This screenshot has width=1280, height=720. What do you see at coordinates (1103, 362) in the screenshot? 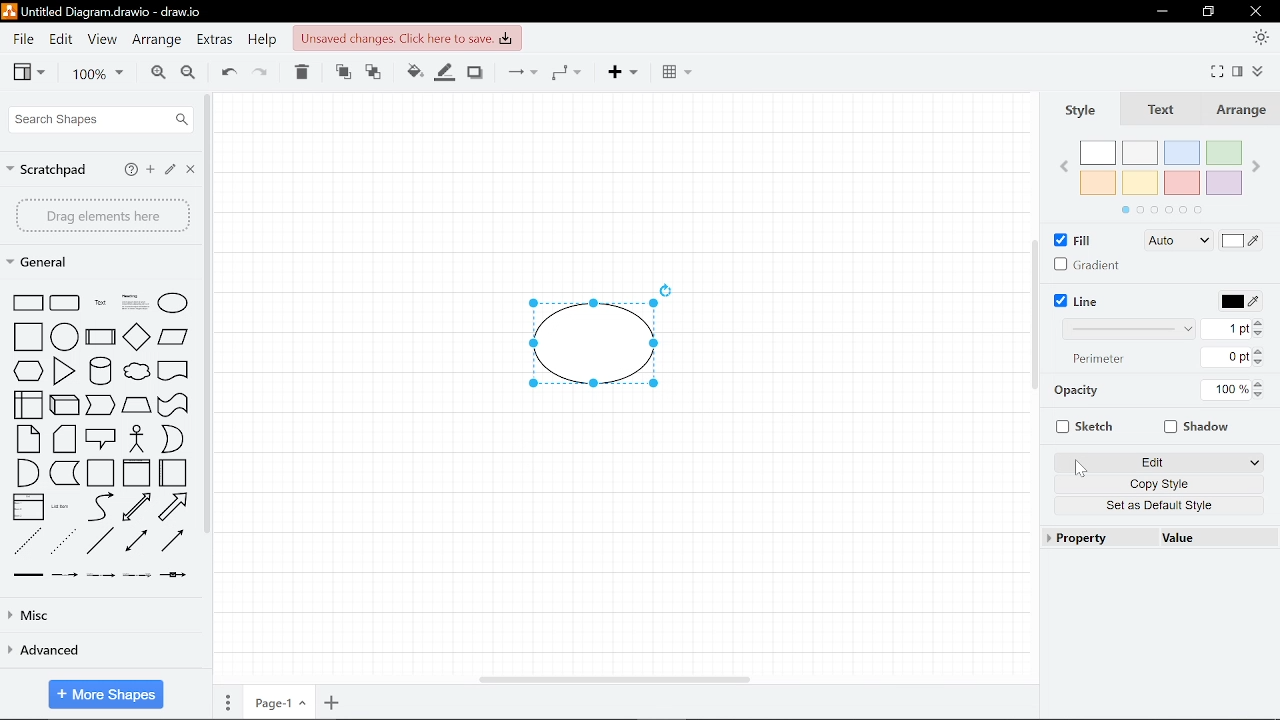
I see `Perimemeter` at bounding box center [1103, 362].